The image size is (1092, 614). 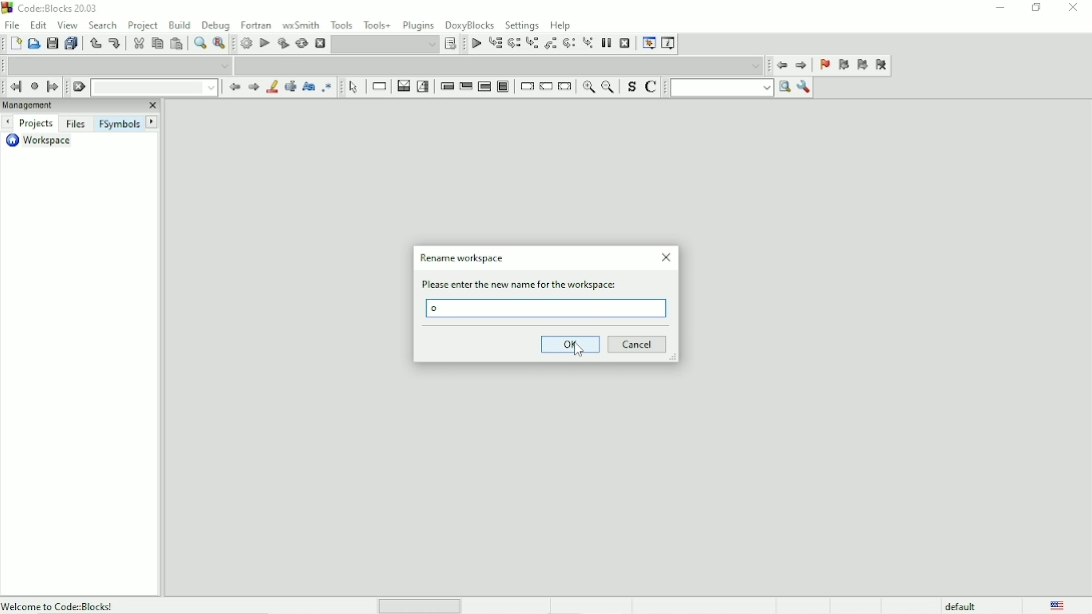 What do you see at coordinates (843, 67) in the screenshot?
I see `Previous bookmark` at bounding box center [843, 67].